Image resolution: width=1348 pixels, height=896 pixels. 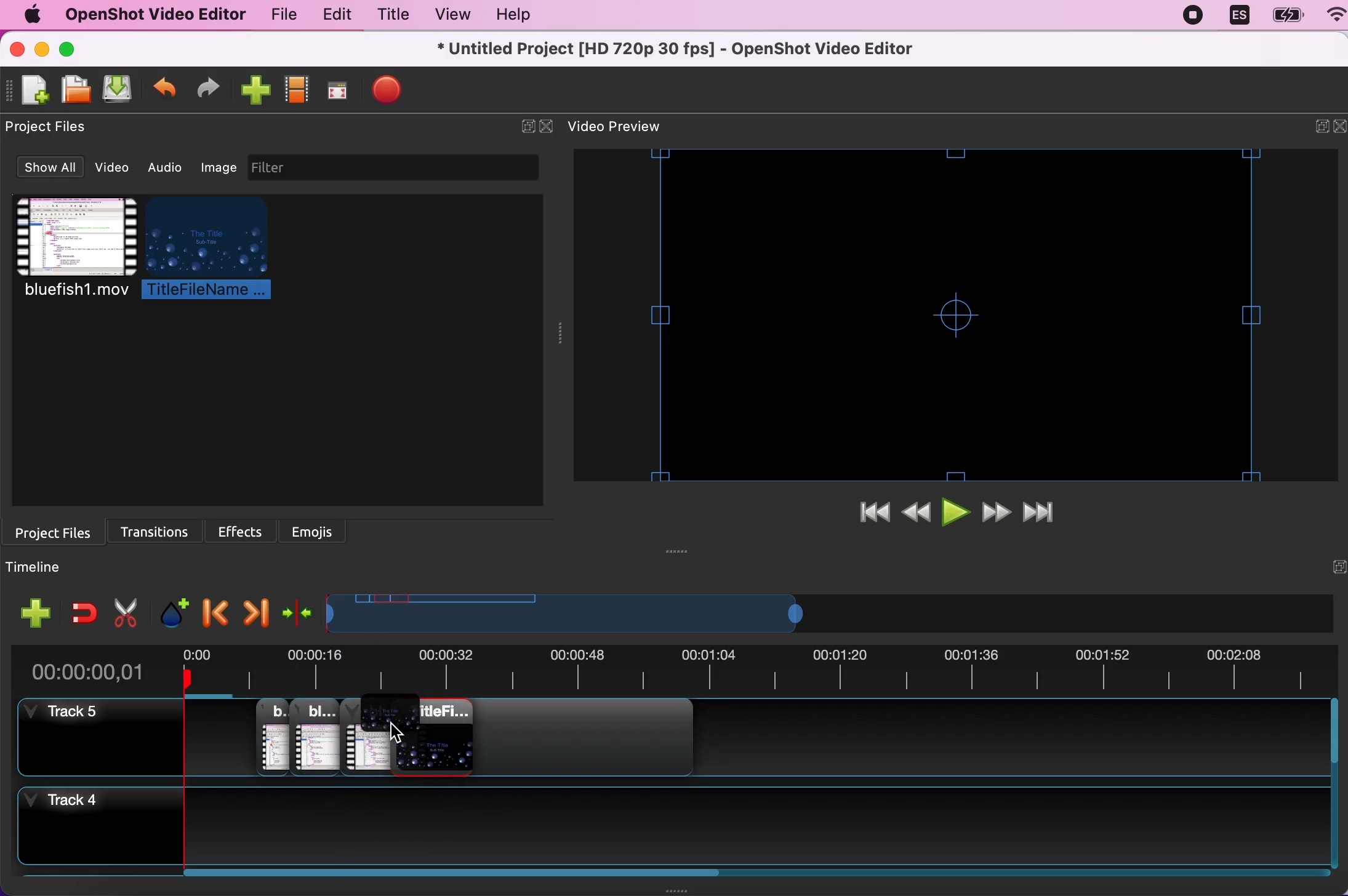 What do you see at coordinates (161, 529) in the screenshot?
I see `transitions` at bounding box center [161, 529].